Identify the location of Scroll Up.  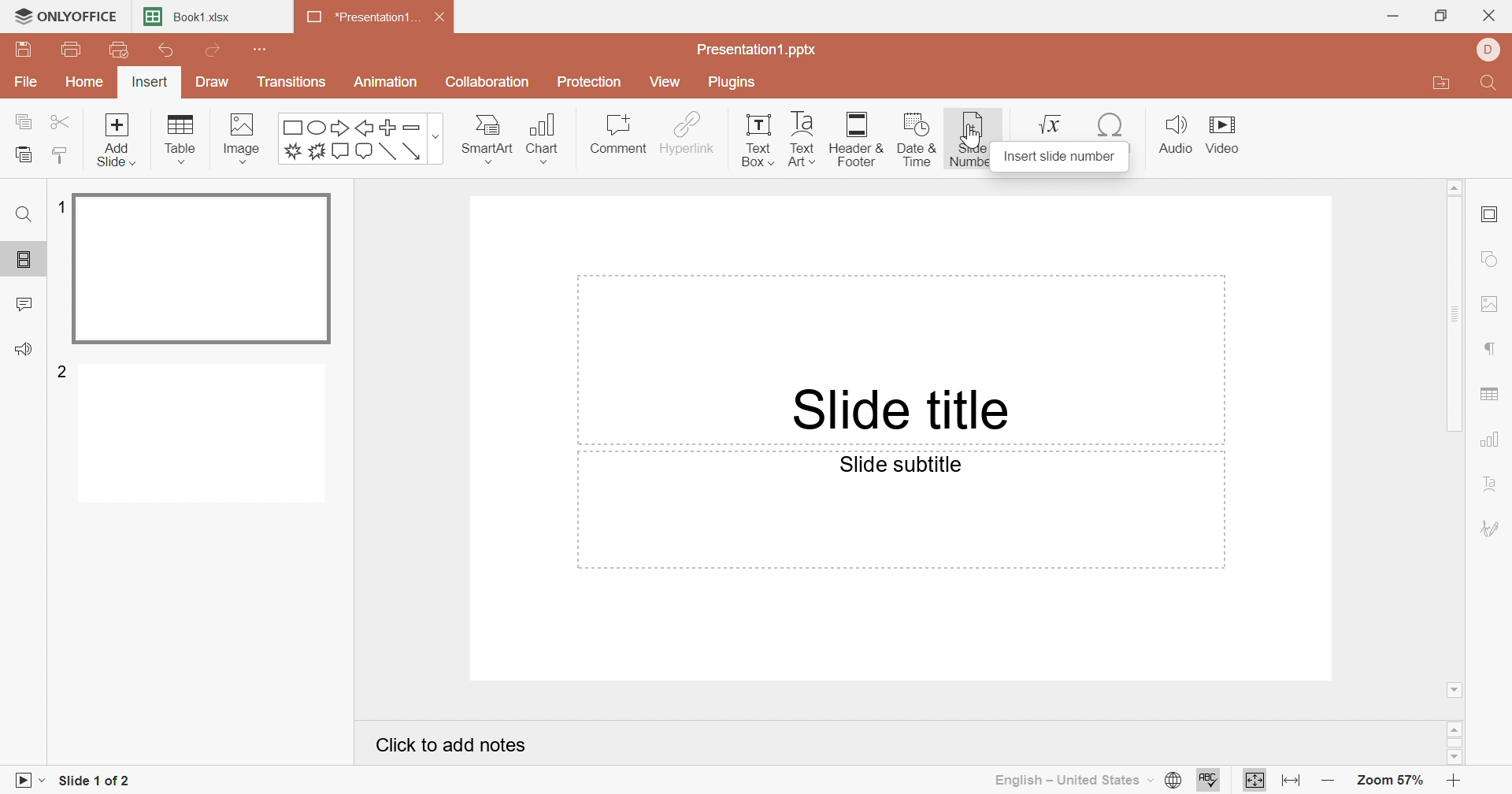
(1454, 185).